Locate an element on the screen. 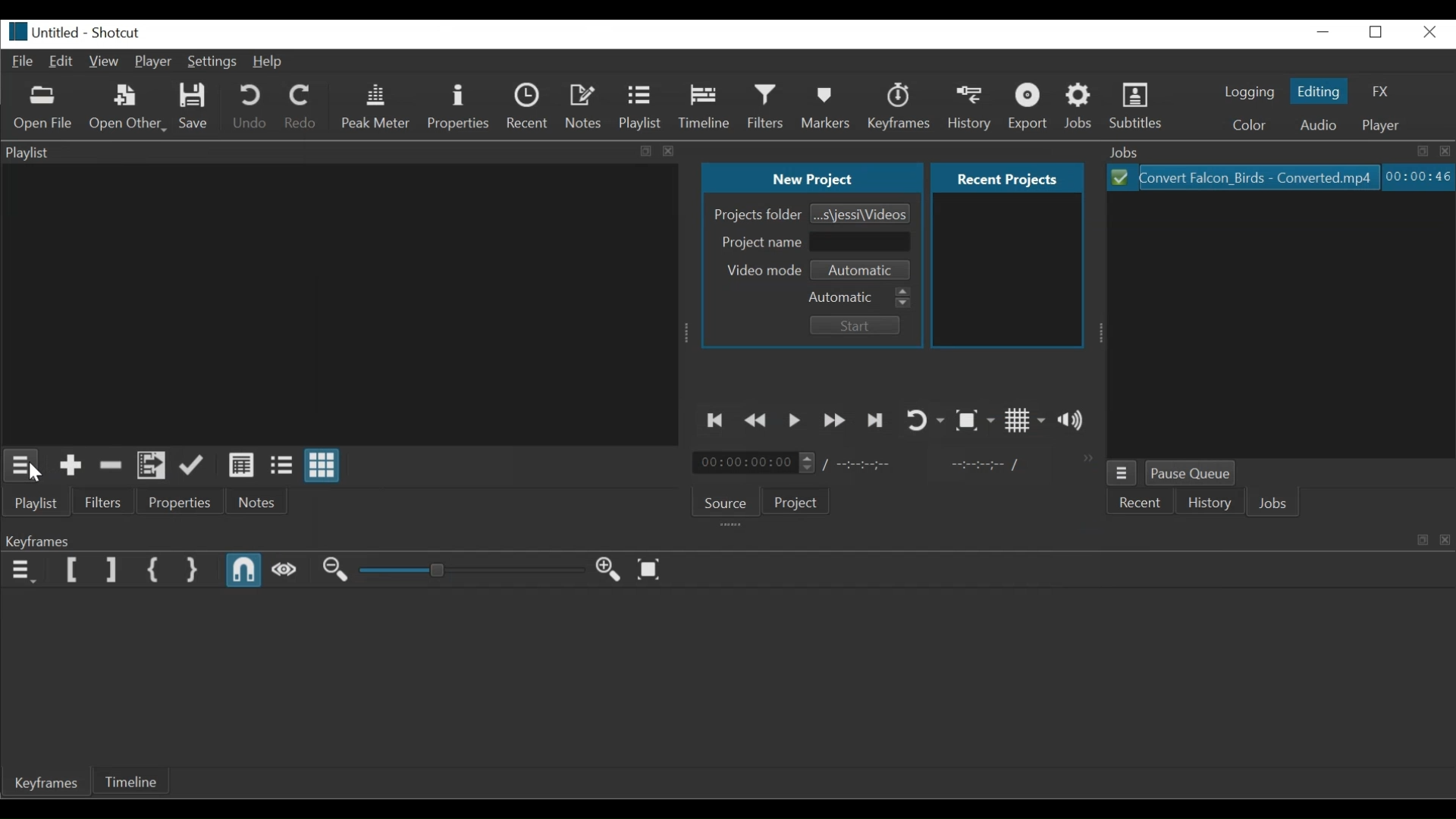  Scrub while dragging is located at coordinates (285, 570).